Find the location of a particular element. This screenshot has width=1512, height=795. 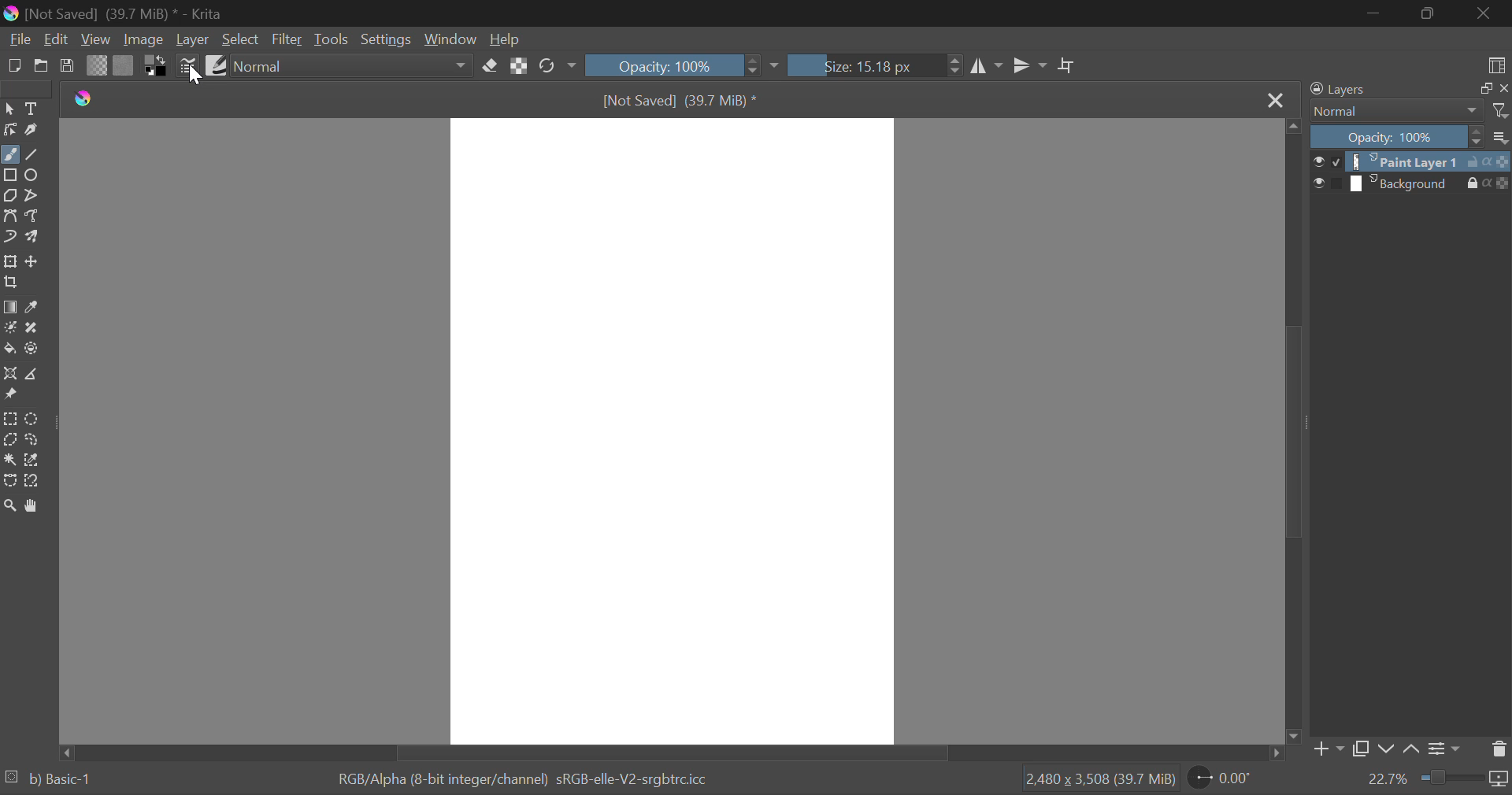

Move Layer Down is located at coordinates (1386, 751).